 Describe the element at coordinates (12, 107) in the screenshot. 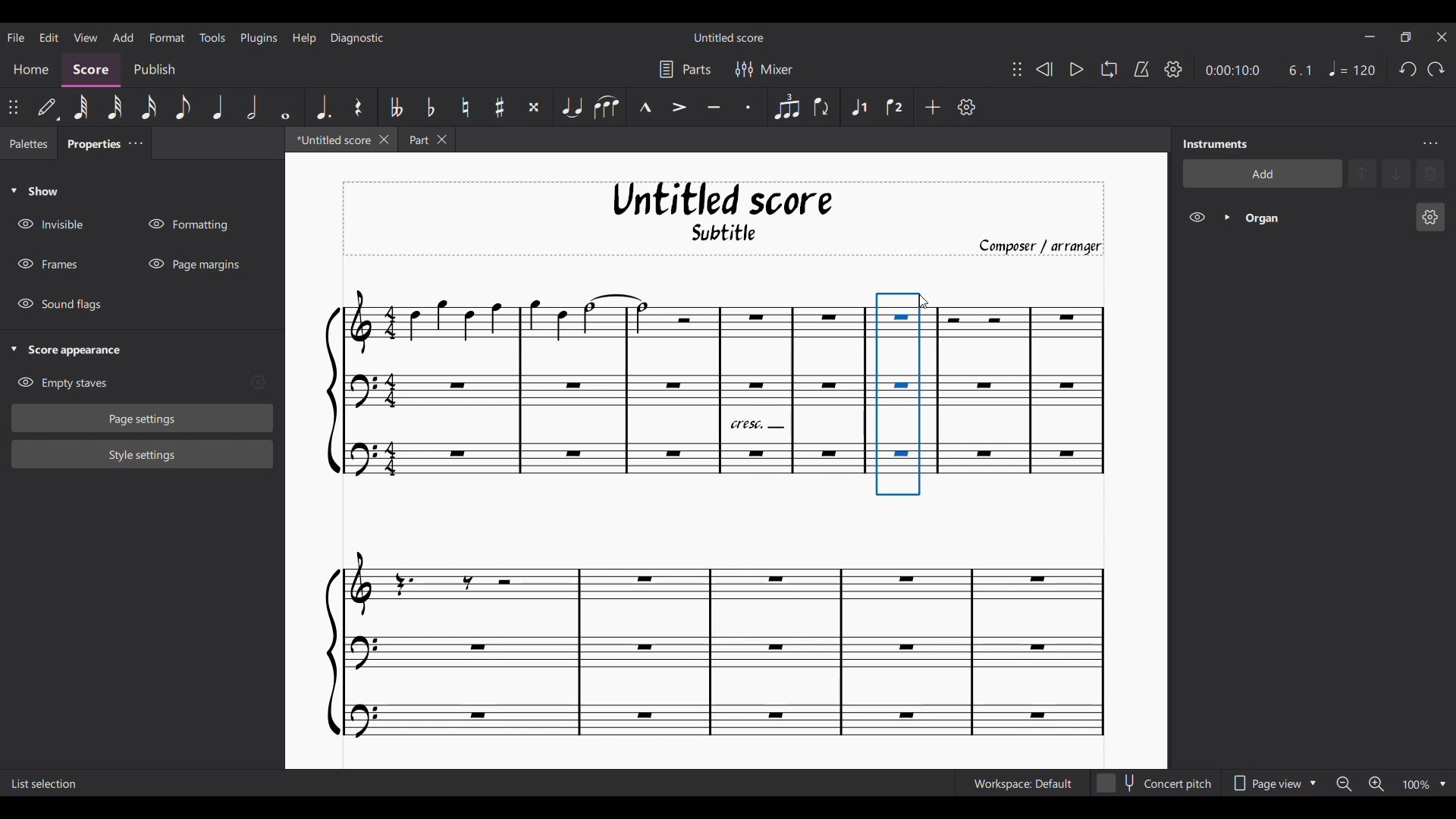

I see `Change position of toolbar attached` at that location.